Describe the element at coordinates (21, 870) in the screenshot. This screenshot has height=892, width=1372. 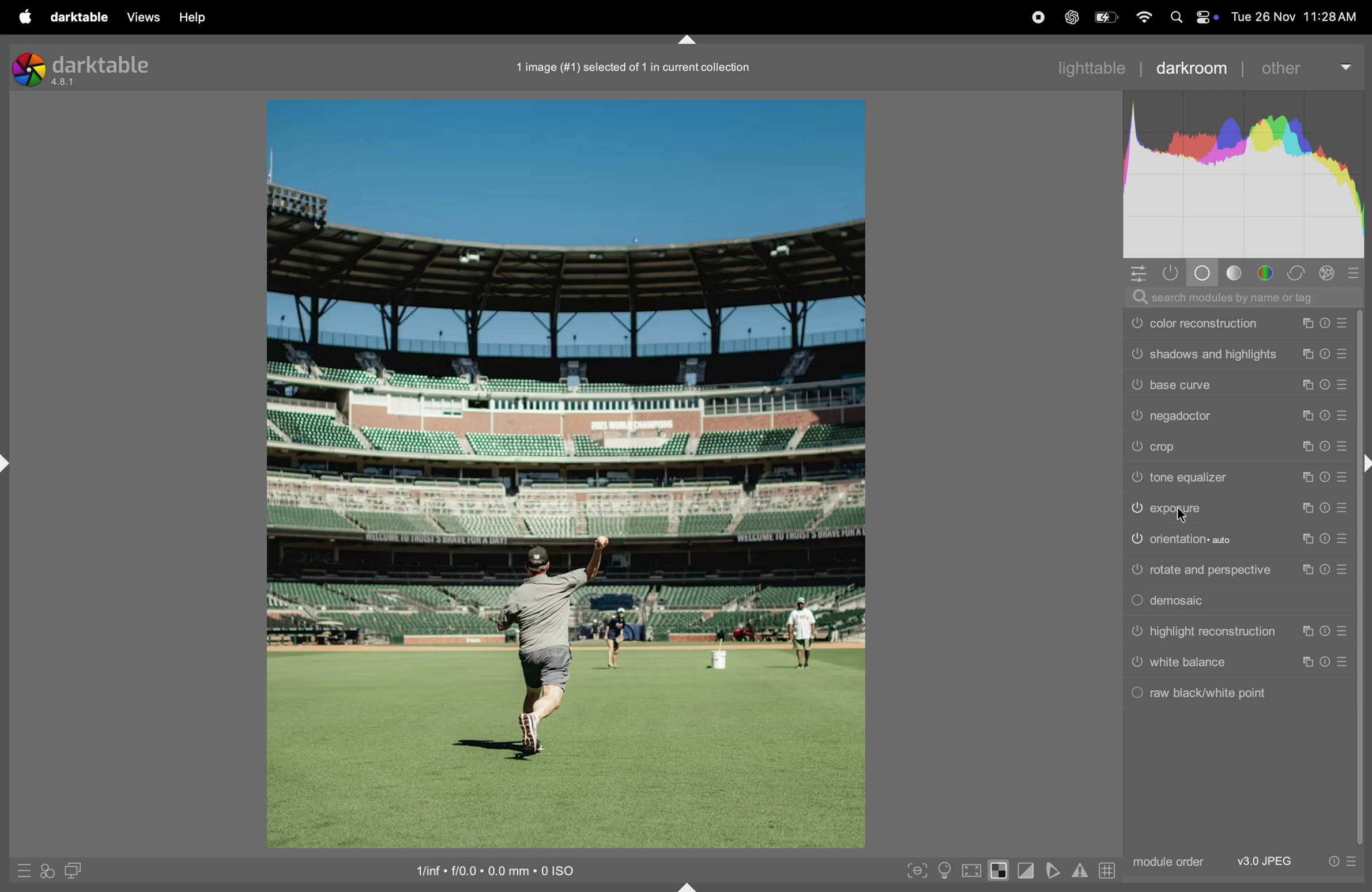
I see `quick acess to presets` at that location.